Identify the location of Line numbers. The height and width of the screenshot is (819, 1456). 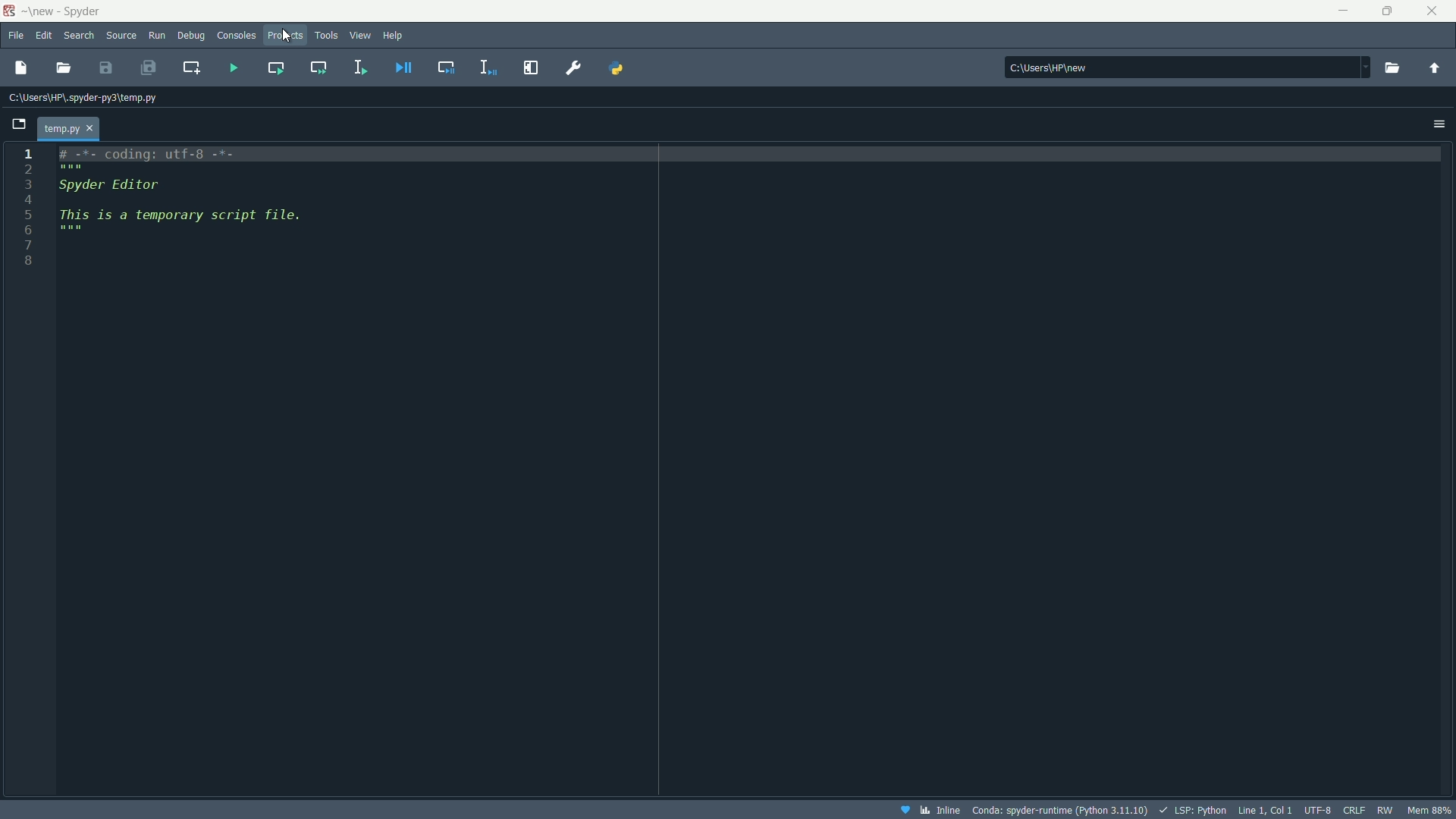
(27, 207).